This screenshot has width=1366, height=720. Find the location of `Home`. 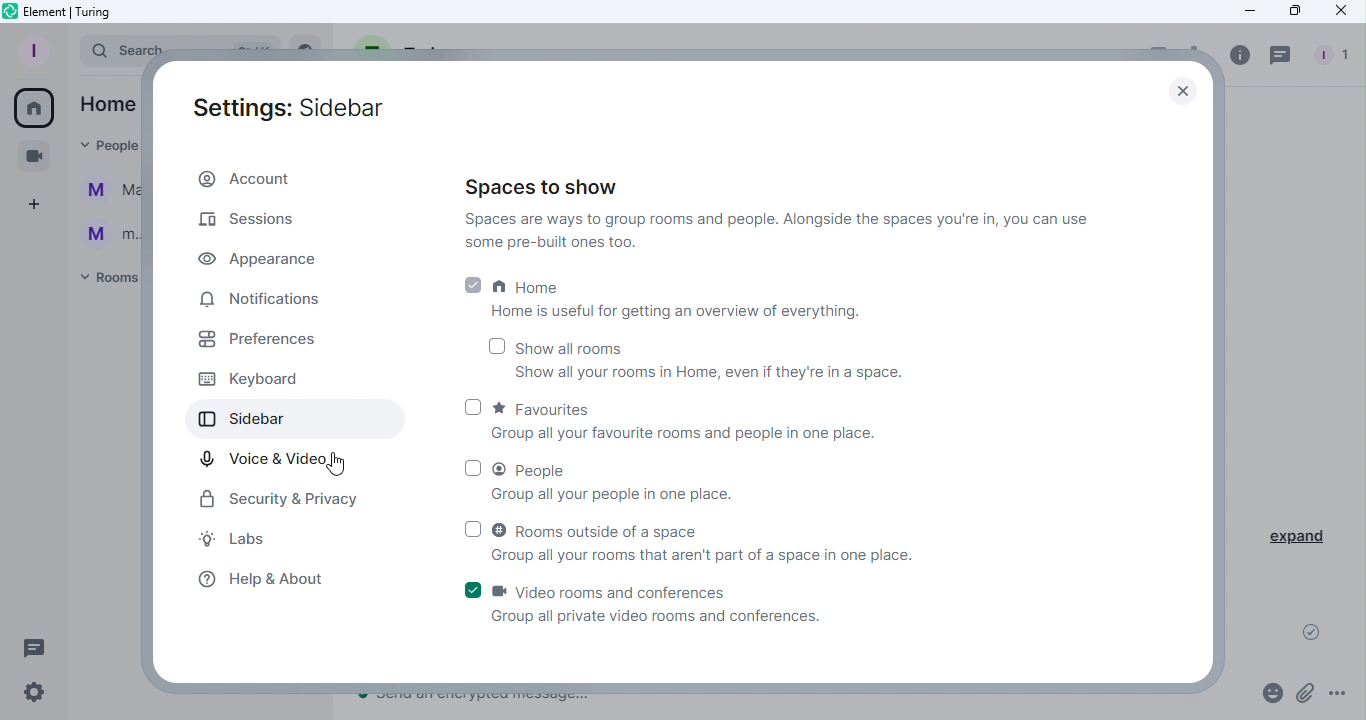

Home is located at coordinates (37, 108).